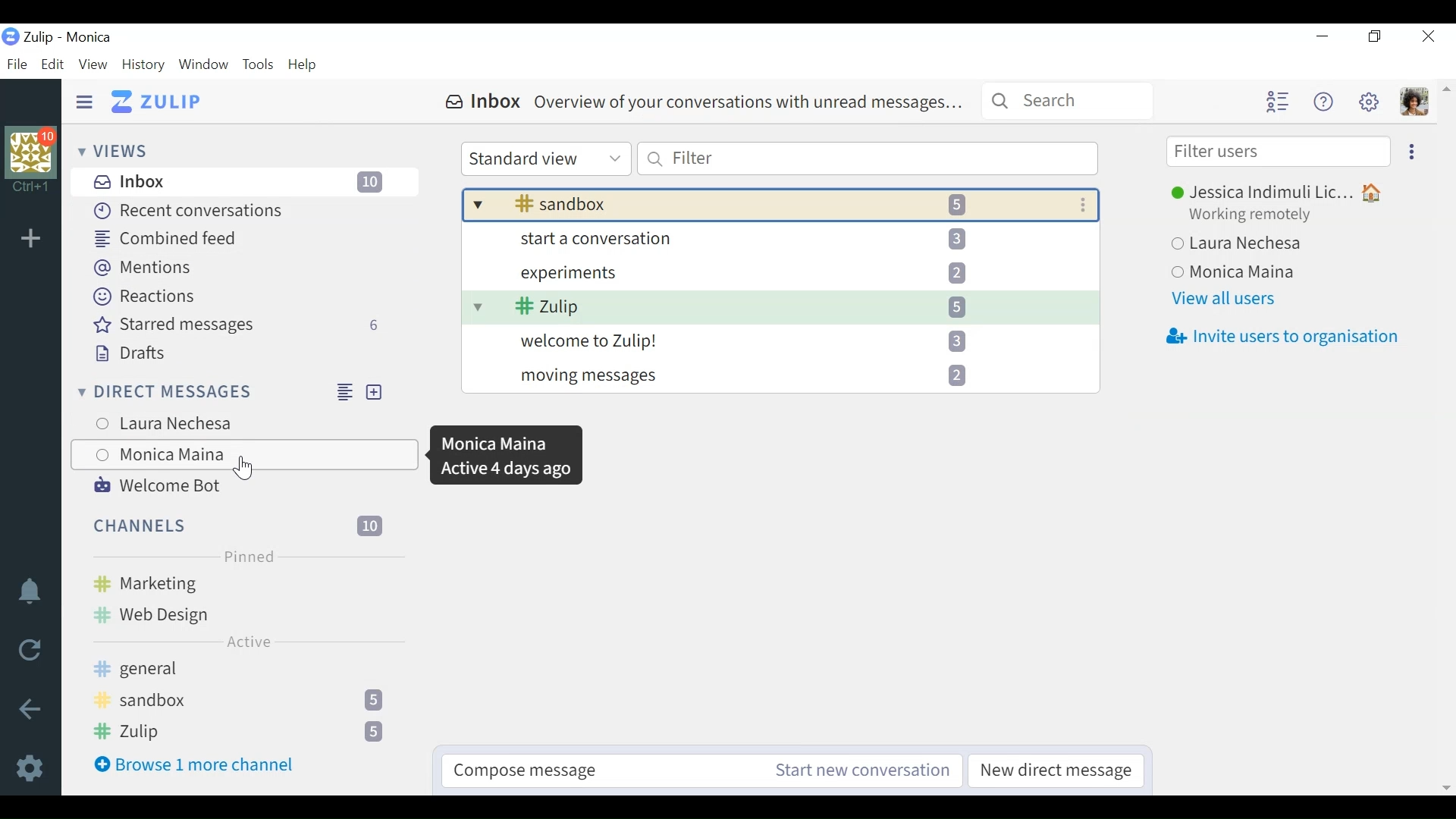 The height and width of the screenshot is (819, 1456). I want to click on Close, so click(1426, 38).